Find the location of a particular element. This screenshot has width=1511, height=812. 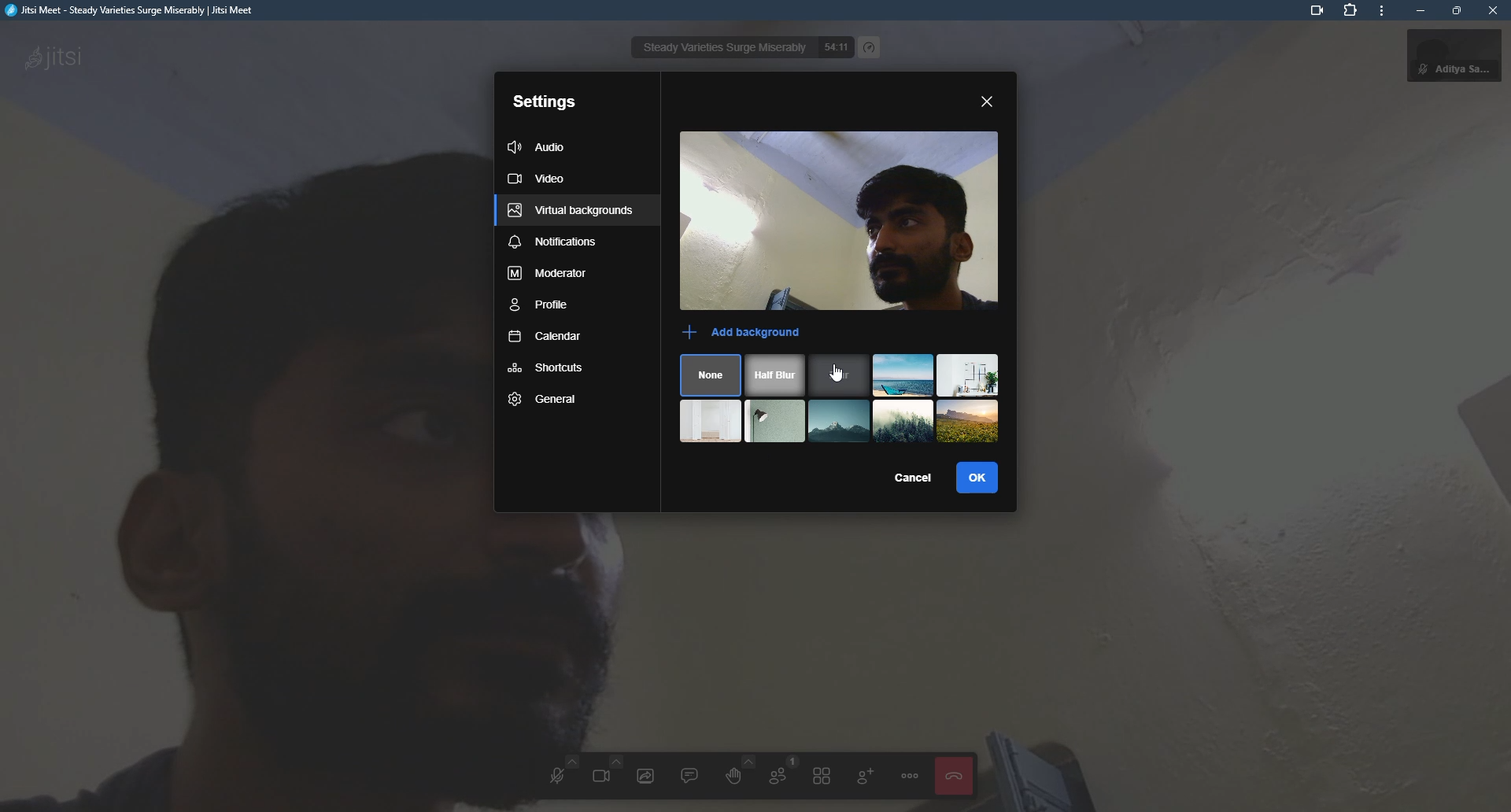

time elapsed is located at coordinates (834, 48).